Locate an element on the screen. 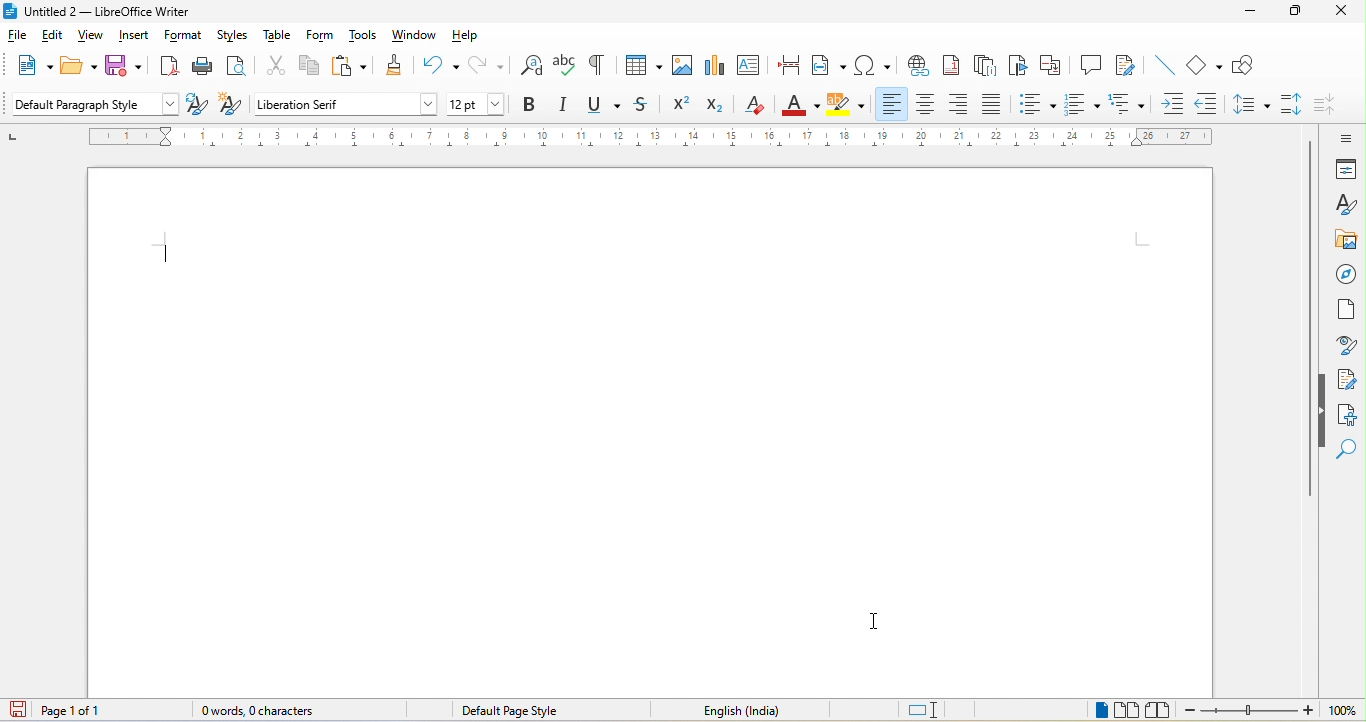 Image resolution: width=1366 pixels, height=722 pixels. special character is located at coordinates (876, 67).